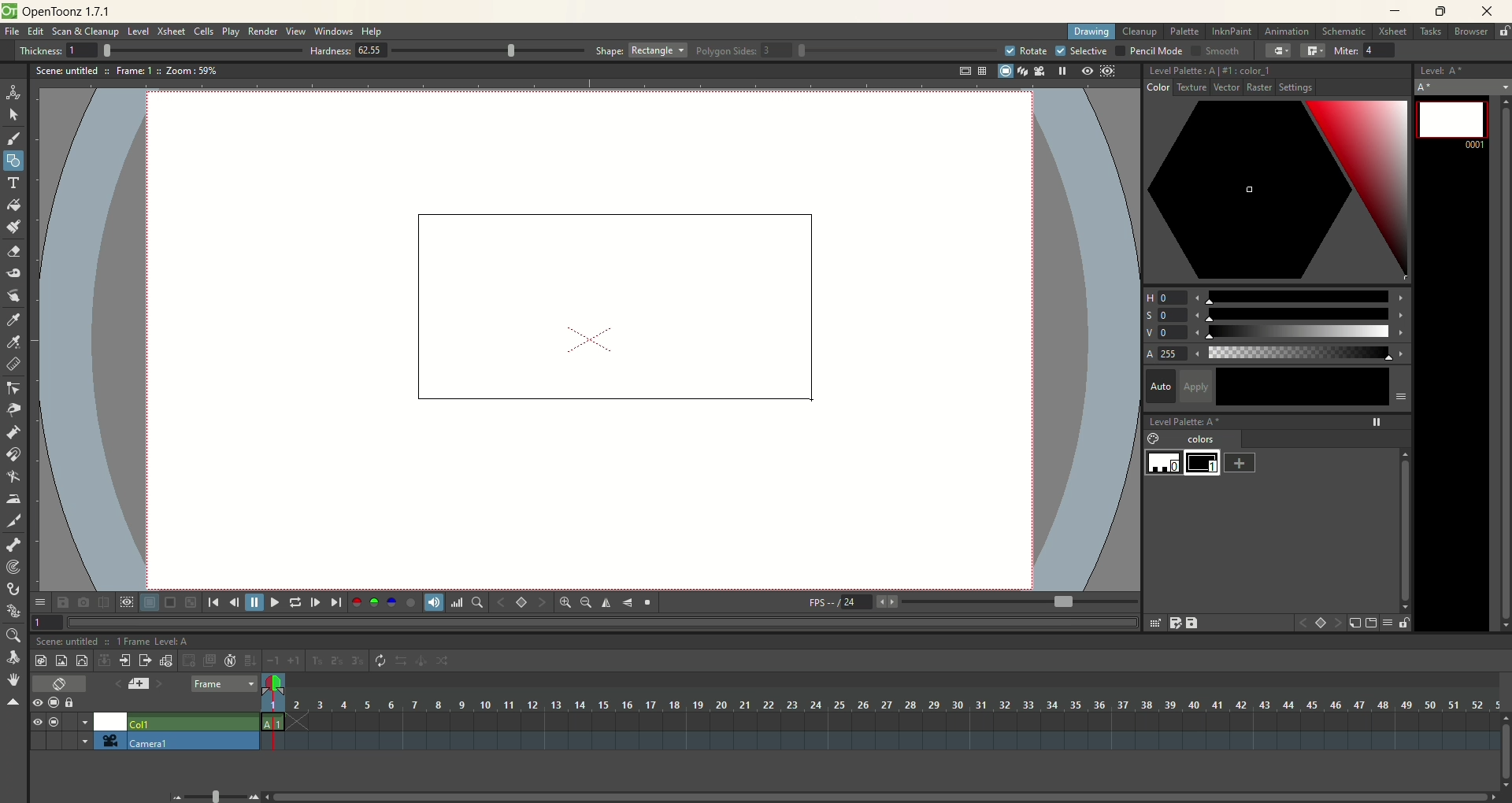 This screenshot has width=1512, height=803. I want to click on zoom out, so click(586, 604).